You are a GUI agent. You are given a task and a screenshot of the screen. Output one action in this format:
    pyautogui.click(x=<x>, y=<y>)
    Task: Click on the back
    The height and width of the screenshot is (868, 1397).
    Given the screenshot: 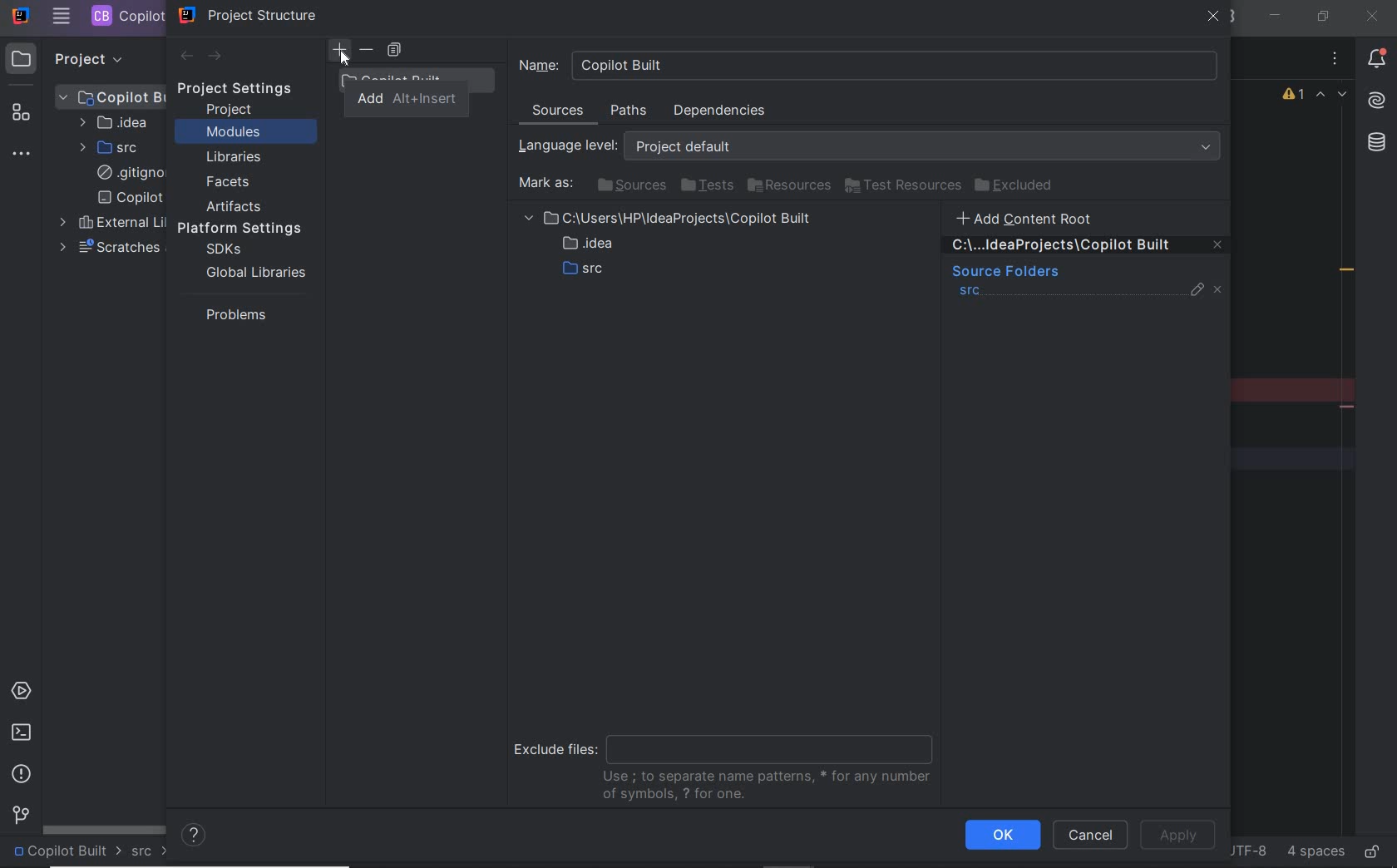 What is the action you would take?
    pyautogui.click(x=185, y=57)
    